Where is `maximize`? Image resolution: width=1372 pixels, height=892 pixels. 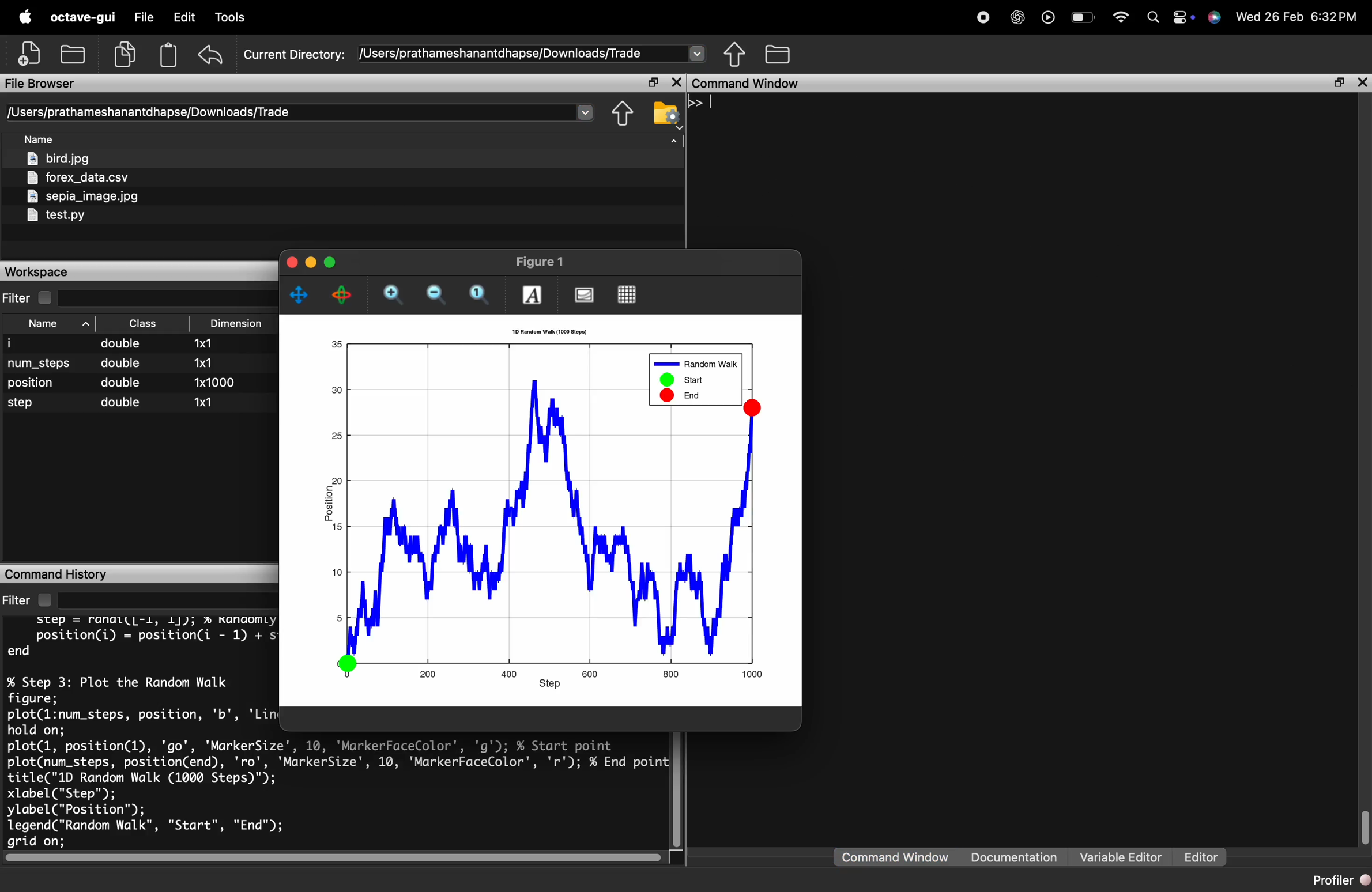 maximize is located at coordinates (1337, 83).